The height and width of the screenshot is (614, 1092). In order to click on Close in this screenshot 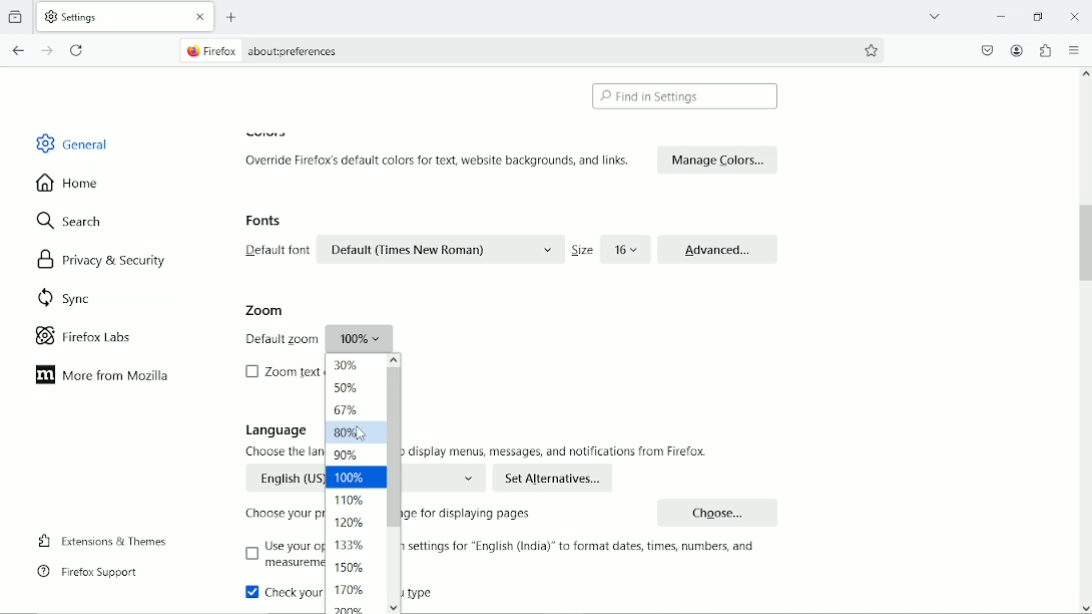, I will do `click(201, 17)`.